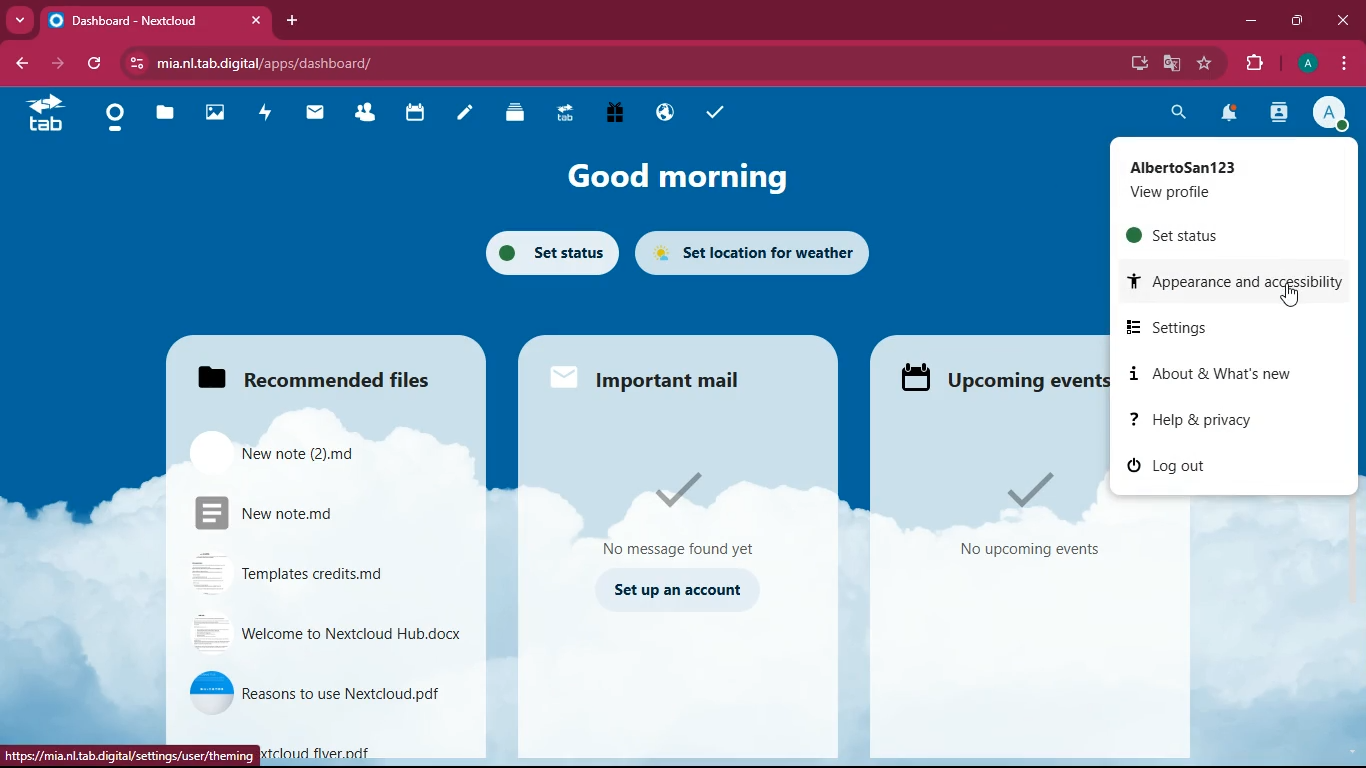 The width and height of the screenshot is (1366, 768). What do you see at coordinates (757, 251) in the screenshot?
I see `set location` at bounding box center [757, 251].